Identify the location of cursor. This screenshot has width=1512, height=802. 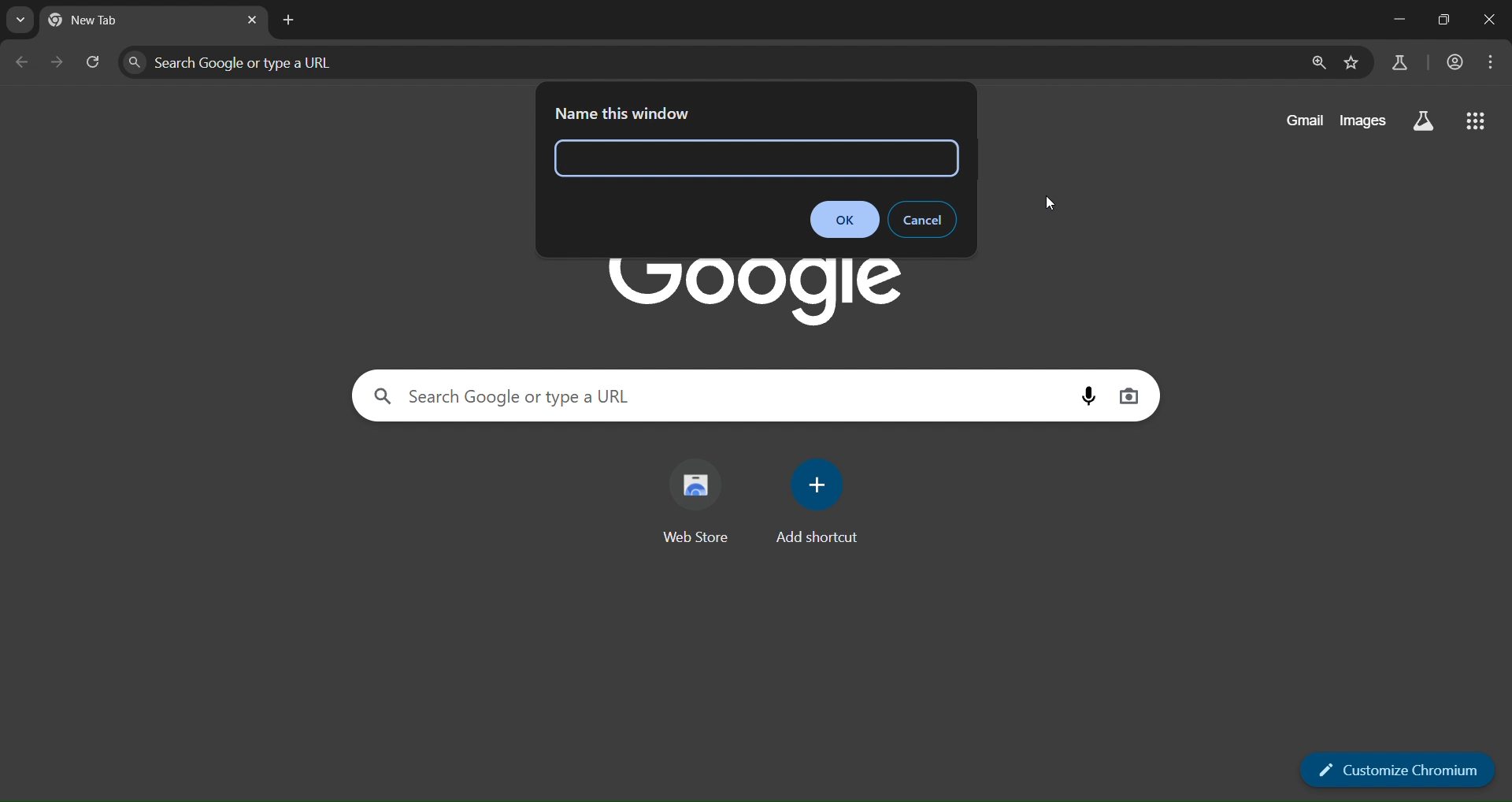
(1055, 202).